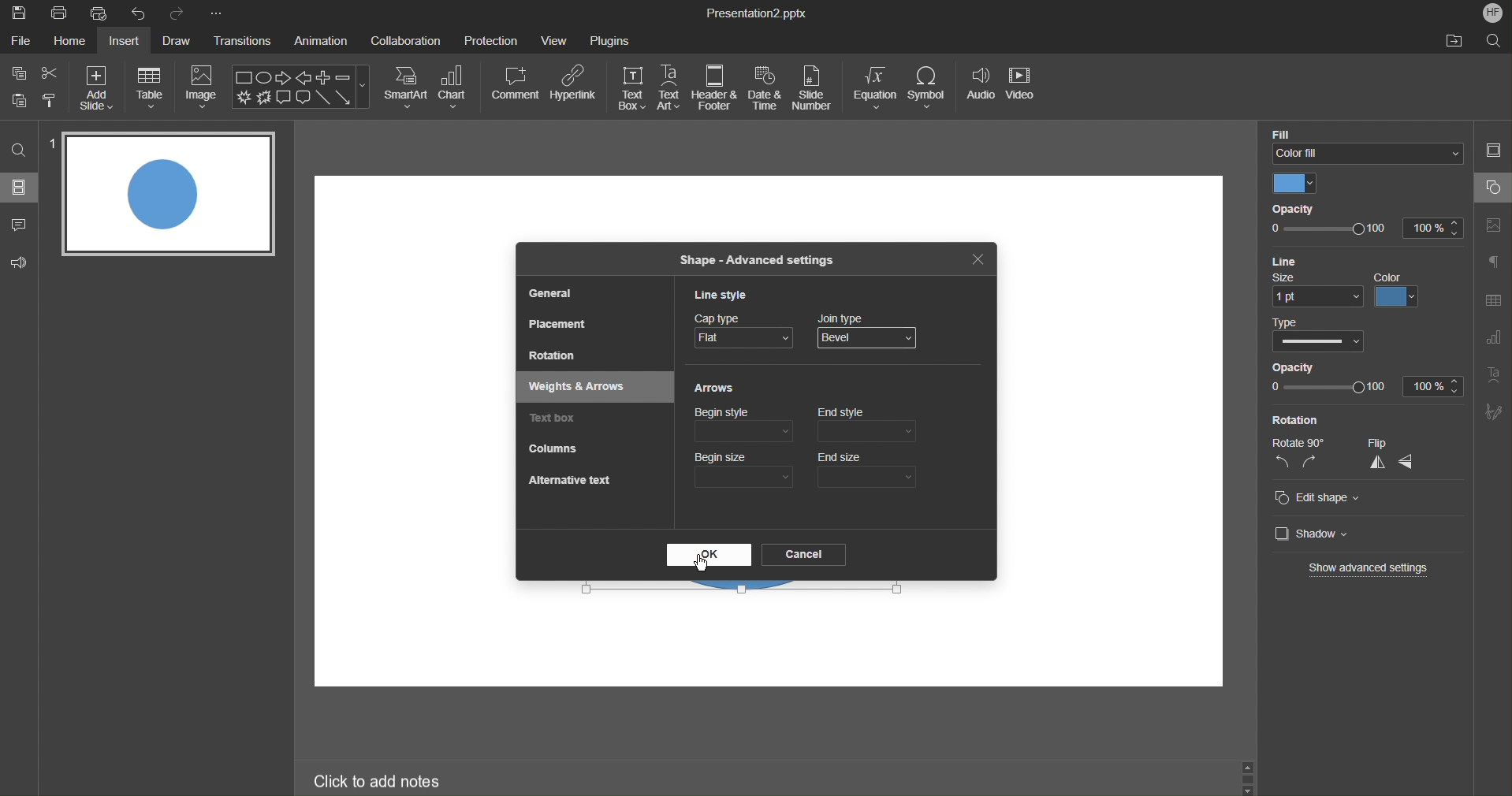 Image resolution: width=1512 pixels, height=796 pixels. I want to click on Signature, so click(1494, 413).